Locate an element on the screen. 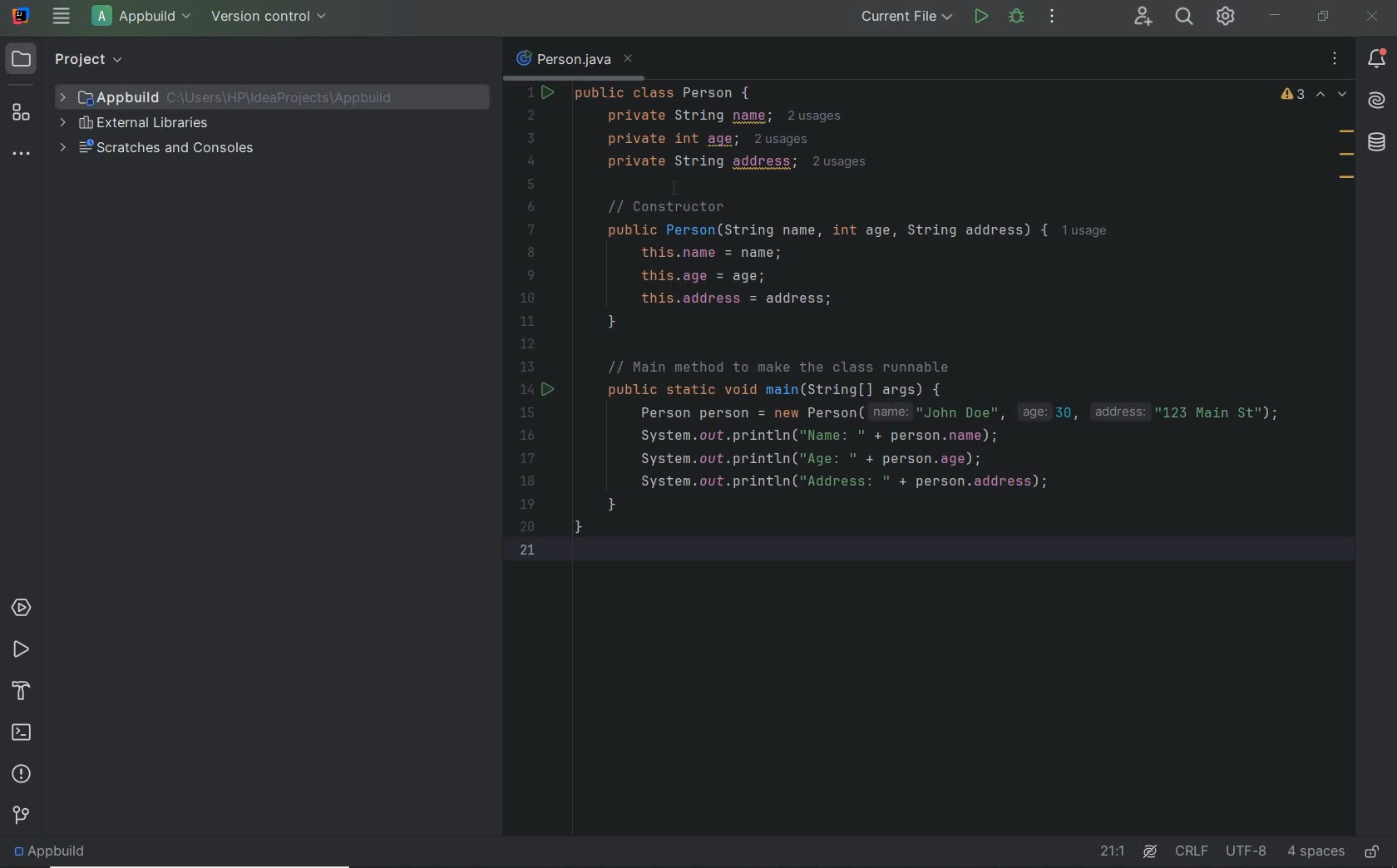 This screenshot has width=1397, height=868. more tool windows is located at coordinates (20, 155).